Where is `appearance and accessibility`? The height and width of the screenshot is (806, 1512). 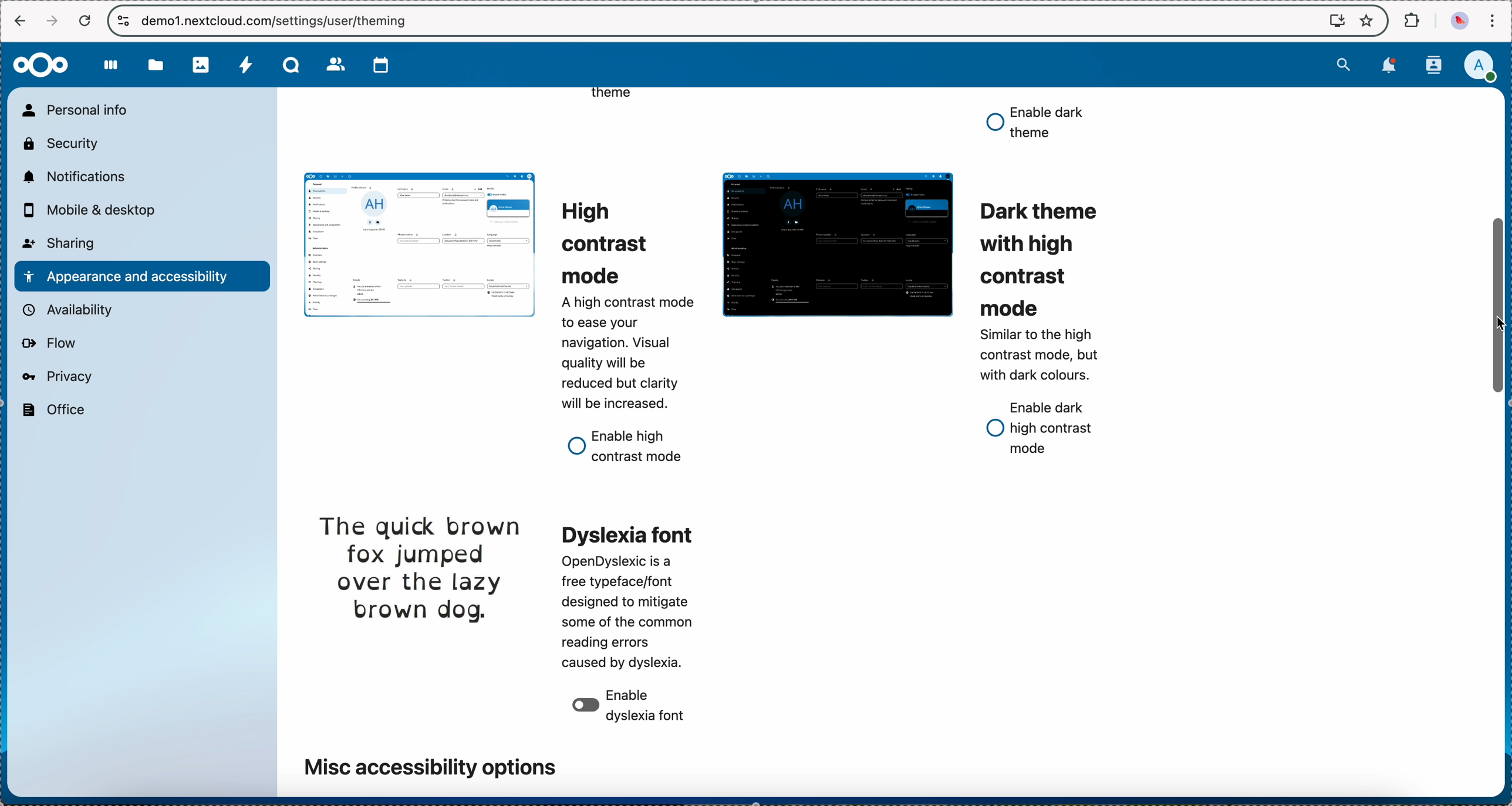
appearance and accessibility is located at coordinates (141, 276).